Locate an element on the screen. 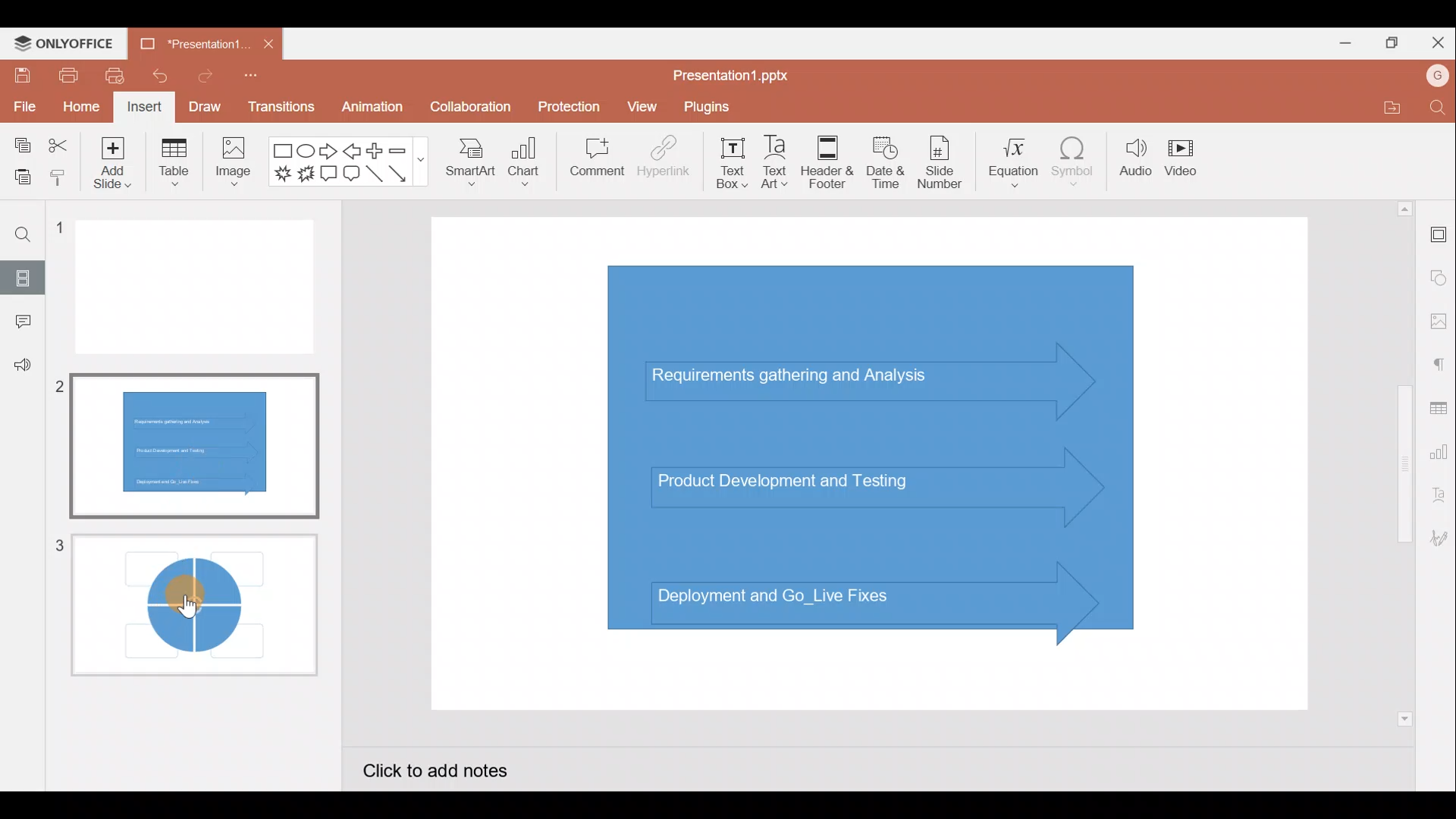 Image resolution: width=1456 pixels, height=819 pixels. Close document is located at coordinates (262, 42).